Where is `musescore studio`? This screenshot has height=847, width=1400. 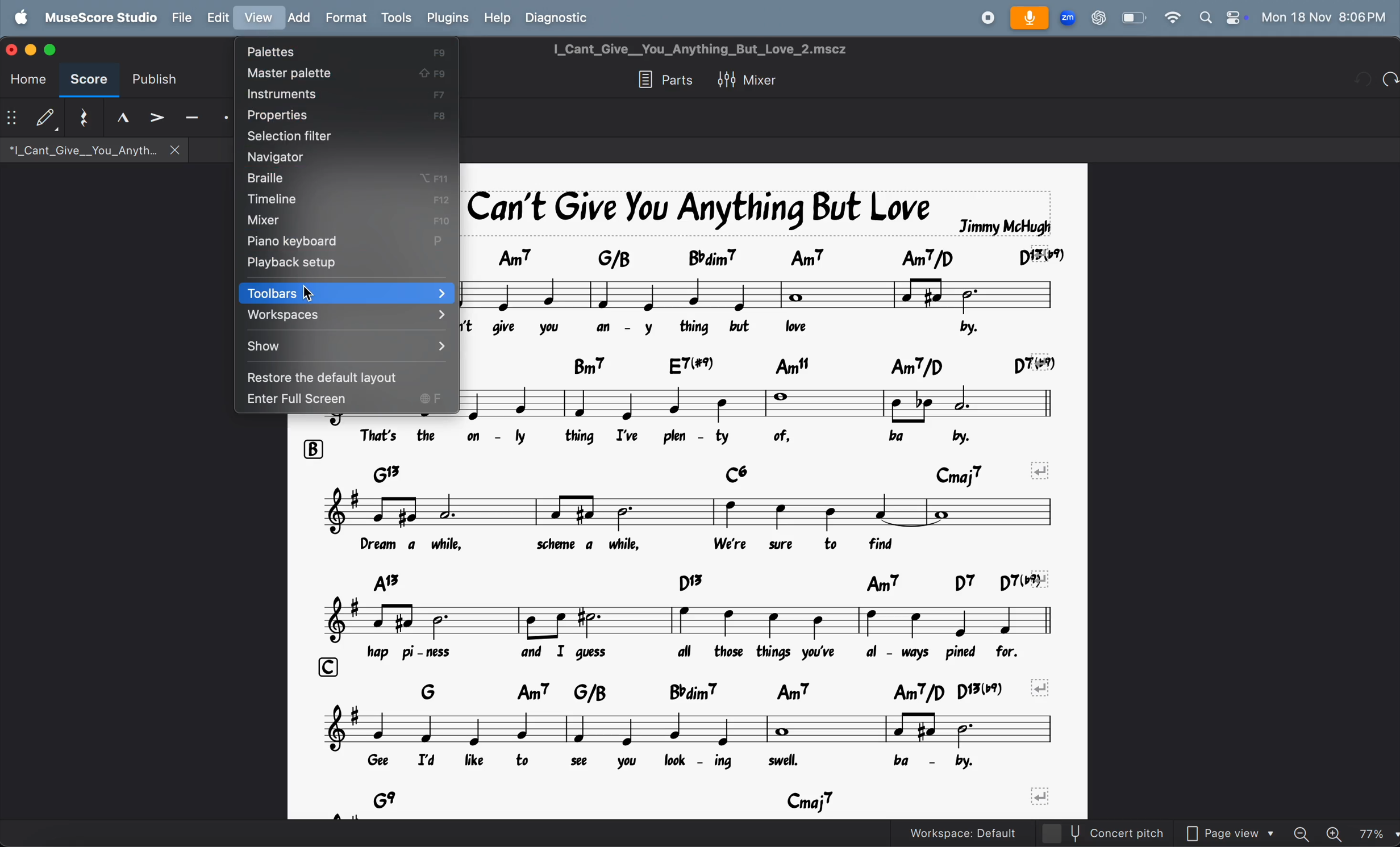 musescore studio is located at coordinates (98, 18).